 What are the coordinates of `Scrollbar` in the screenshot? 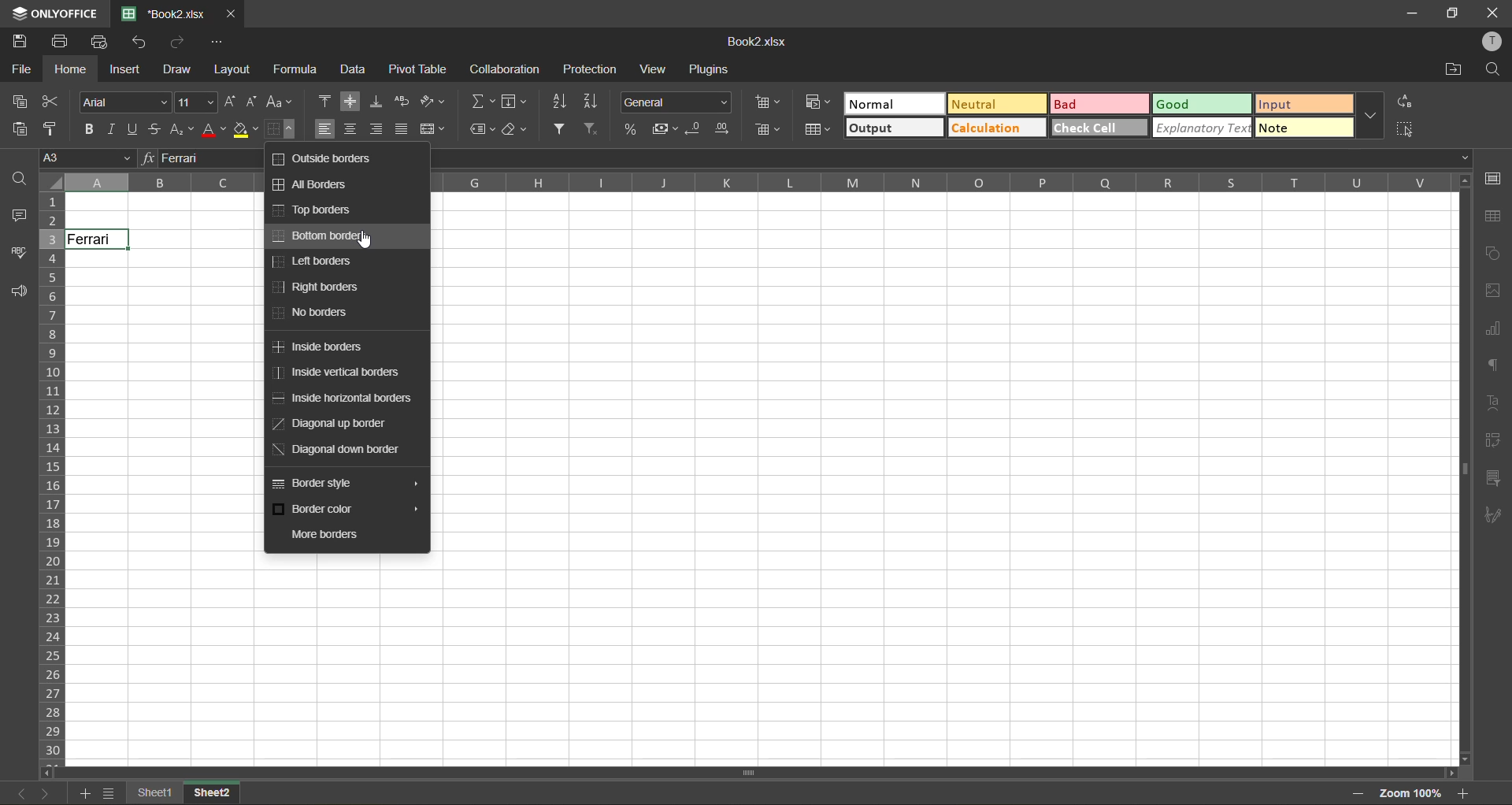 It's located at (1462, 469).